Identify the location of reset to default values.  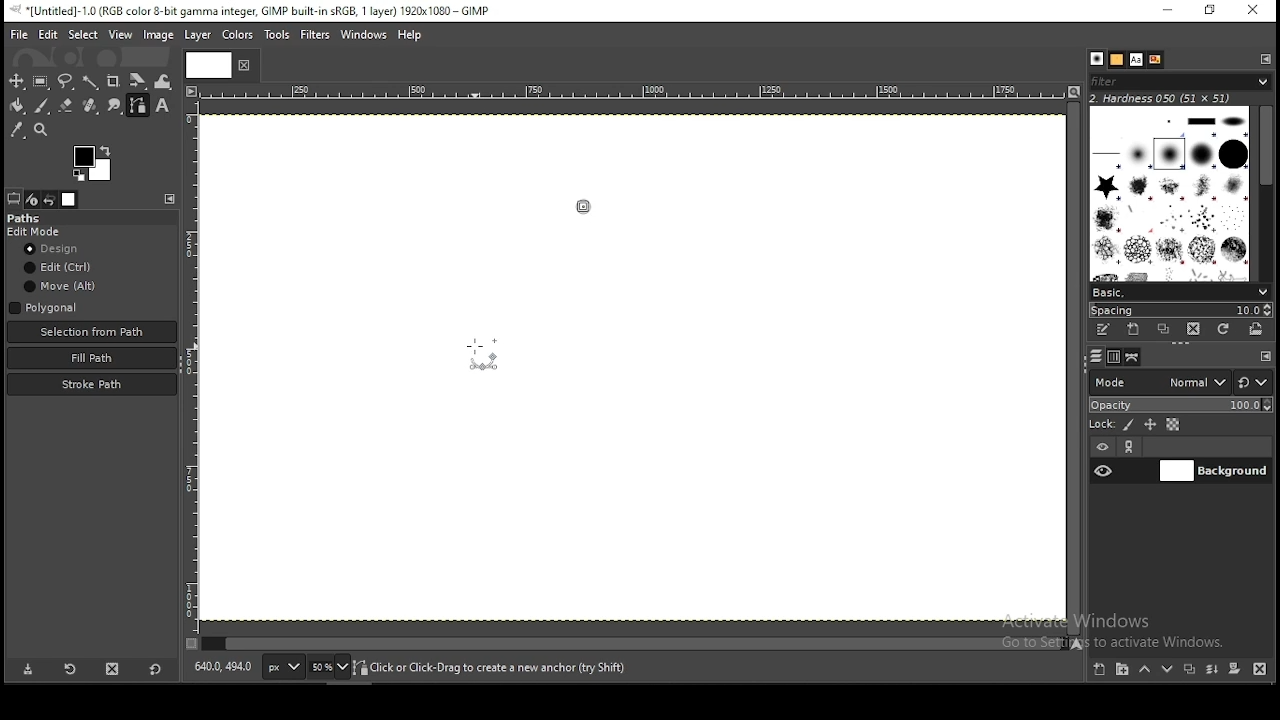
(156, 674).